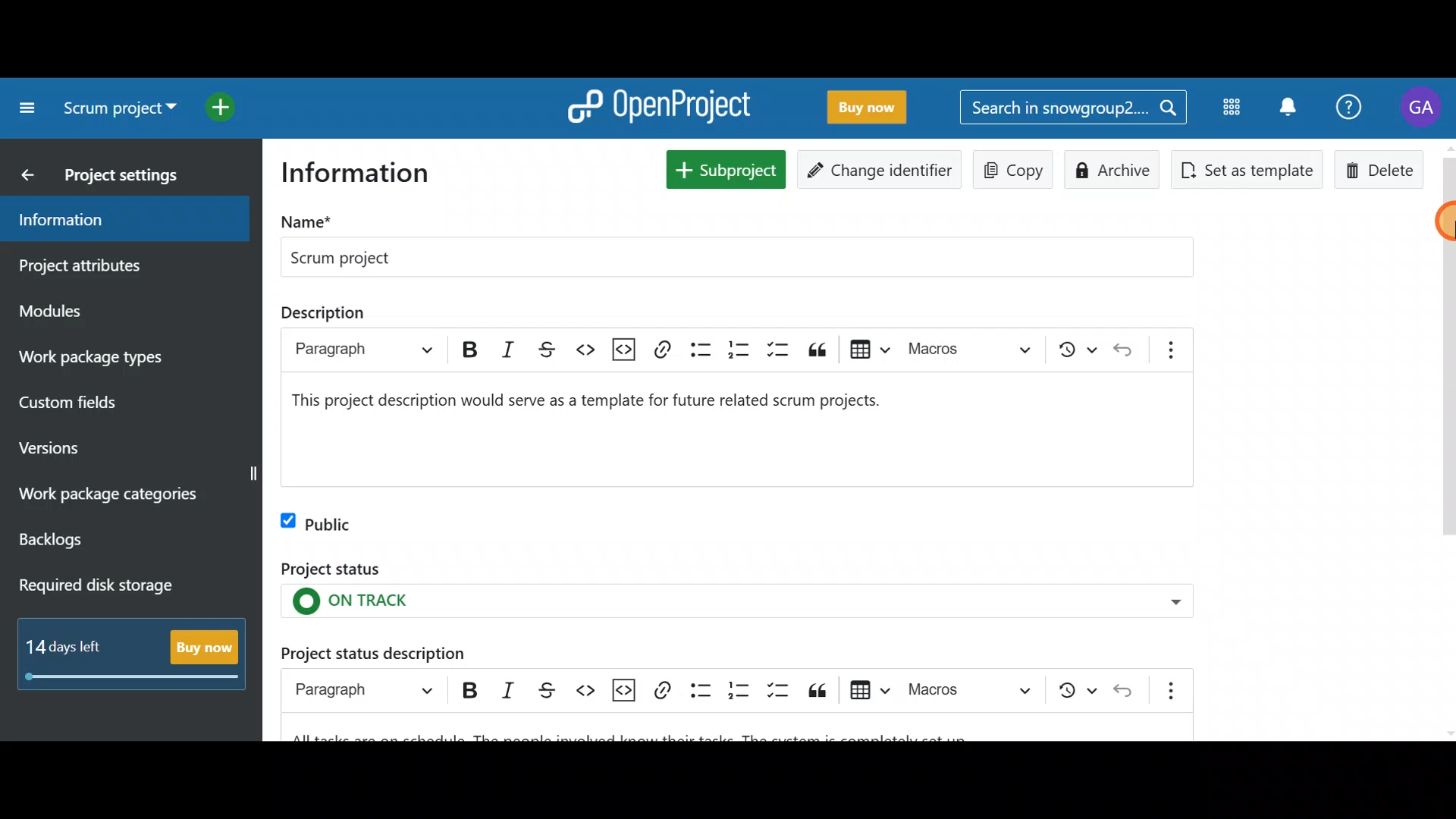 Image resolution: width=1456 pixels, height=819 pixels. What do you see at coordinates (818, 691) in the screenshot?
I see `Block quote` at bounding box center [818, 691].